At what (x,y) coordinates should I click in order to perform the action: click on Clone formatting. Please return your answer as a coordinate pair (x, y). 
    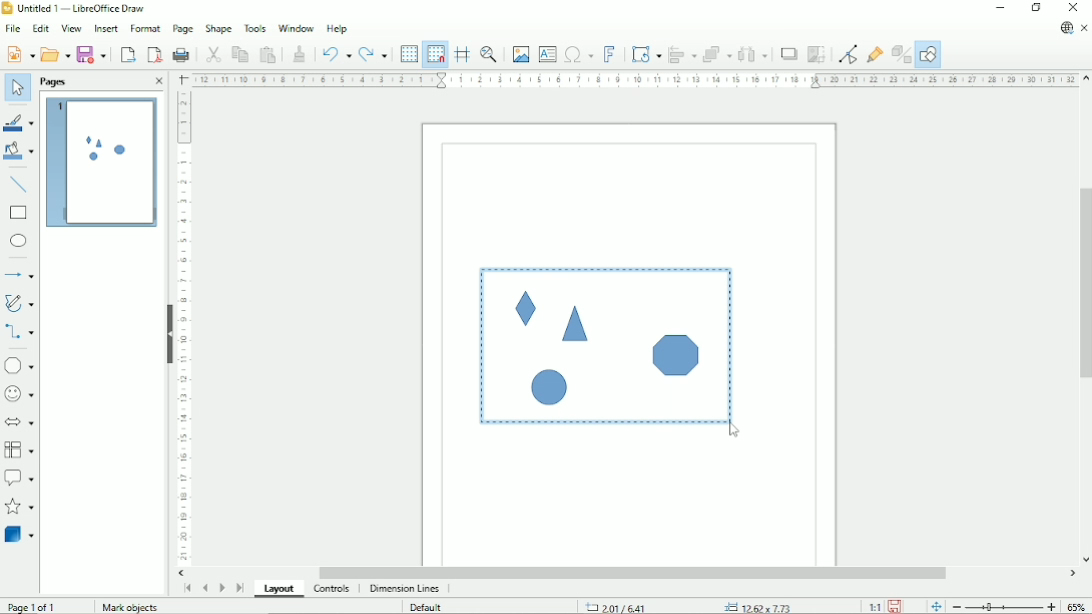
    Looking at the image, I should click on (300, 53).